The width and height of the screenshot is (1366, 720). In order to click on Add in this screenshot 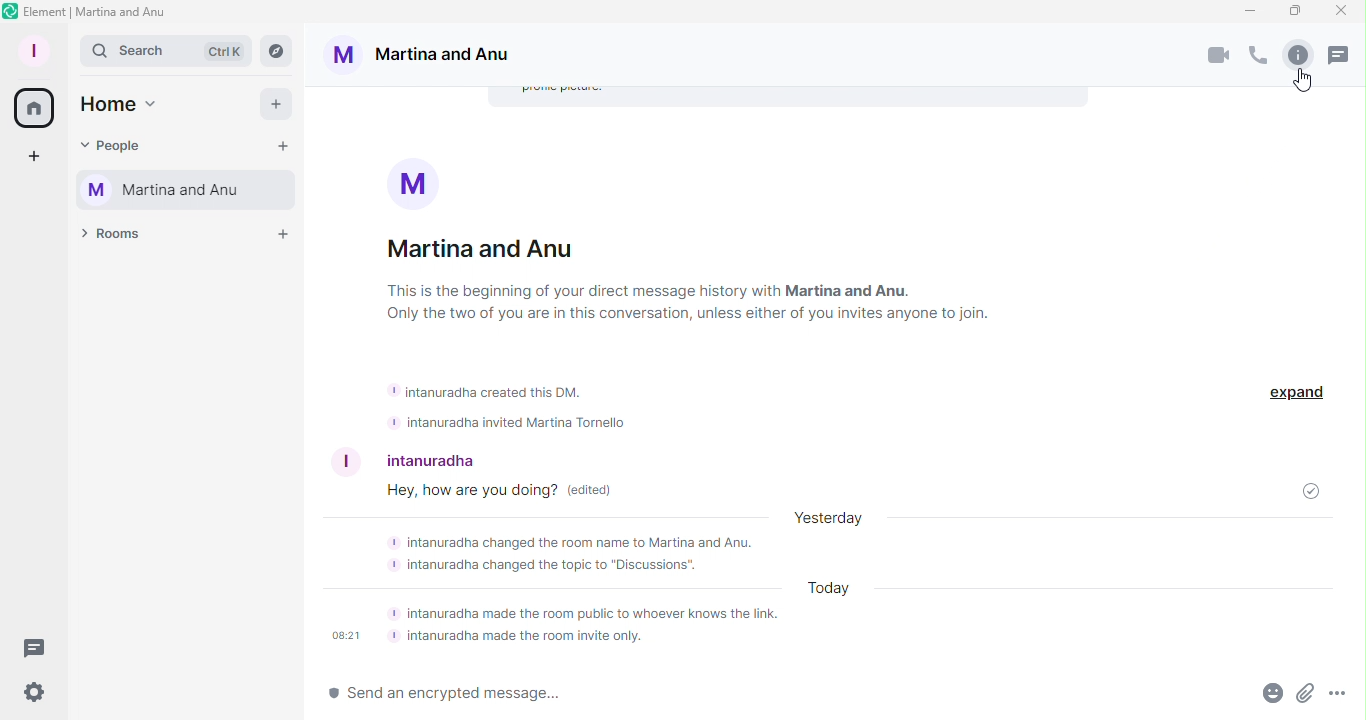, I will do `click(280, 106)`.